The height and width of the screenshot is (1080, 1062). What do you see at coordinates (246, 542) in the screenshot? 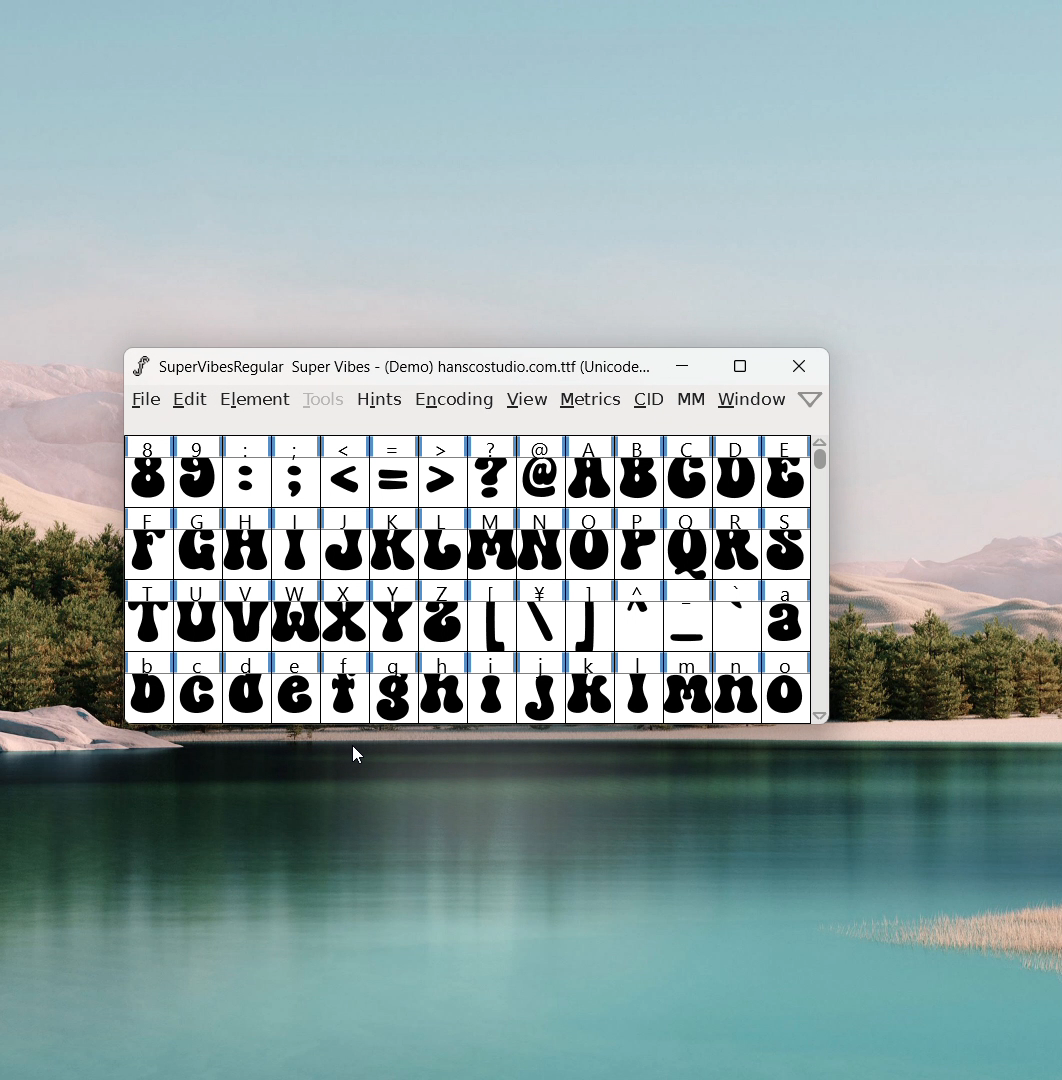
I see `H` at bounding box center [246, 542].